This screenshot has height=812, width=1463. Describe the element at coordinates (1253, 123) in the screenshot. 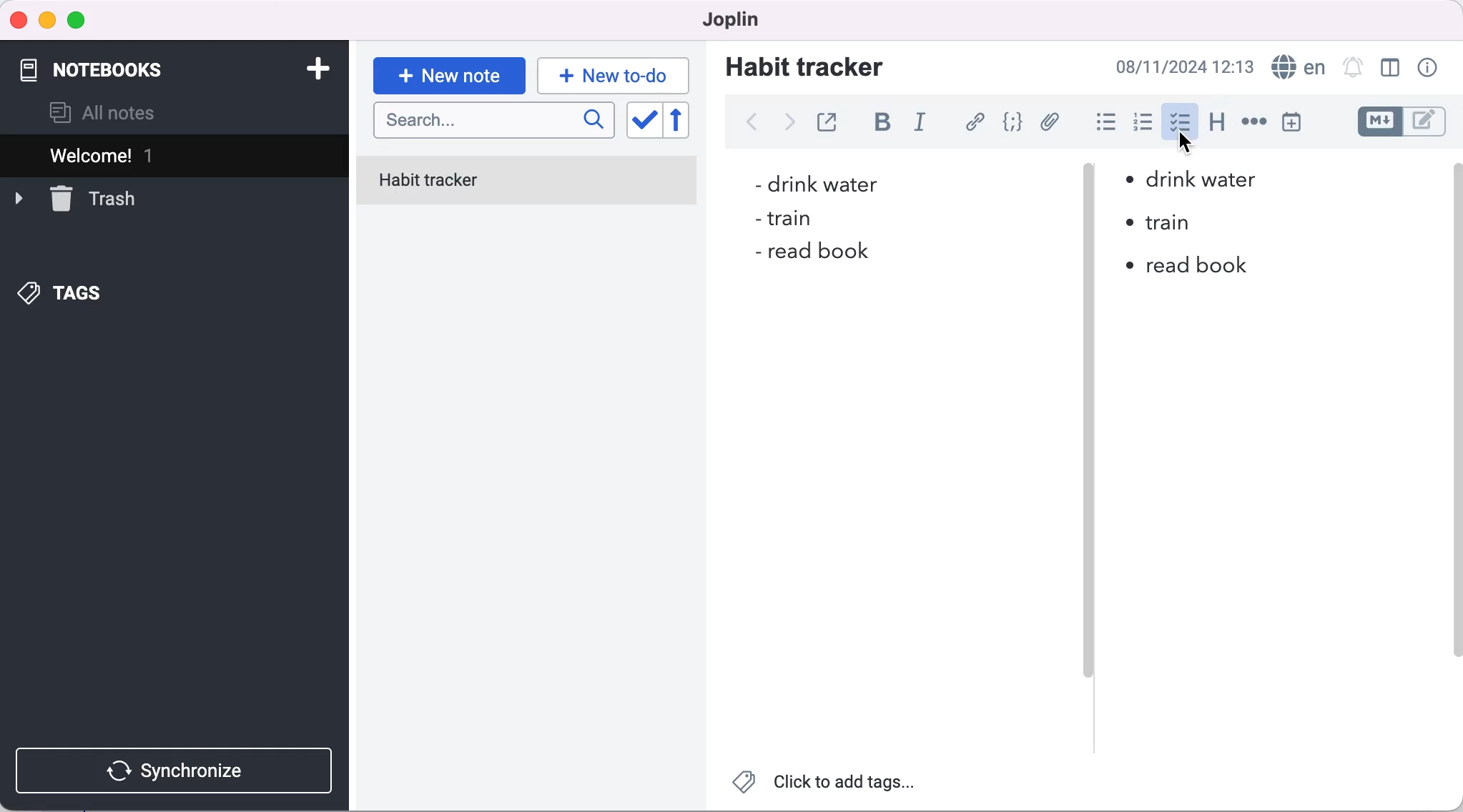

I see `horizontal rule` at that location.